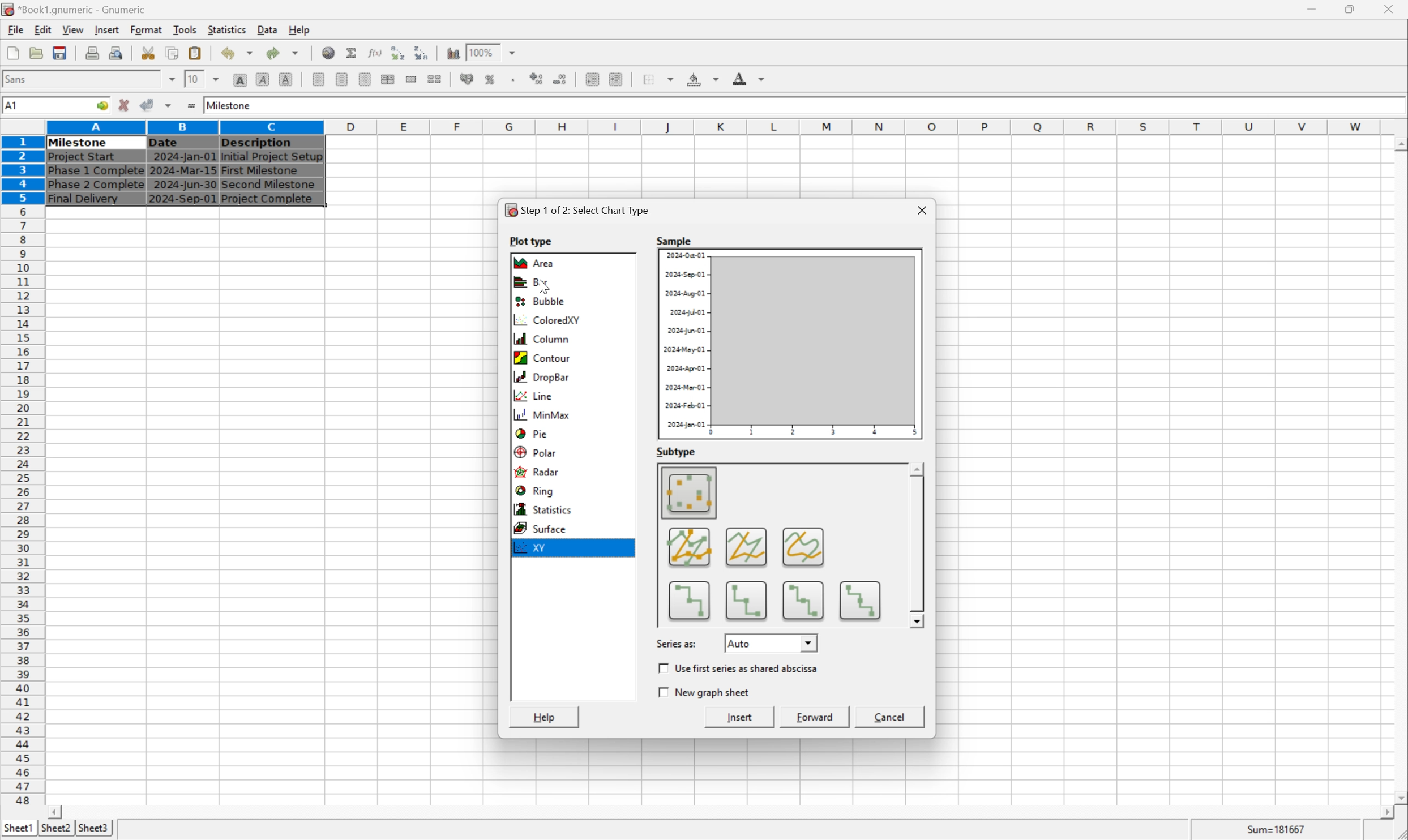 The width and height of the screenshot is (1408, 840). Describe the element at coordinates (533, 395) in the screenshot. I see `line` at that location.